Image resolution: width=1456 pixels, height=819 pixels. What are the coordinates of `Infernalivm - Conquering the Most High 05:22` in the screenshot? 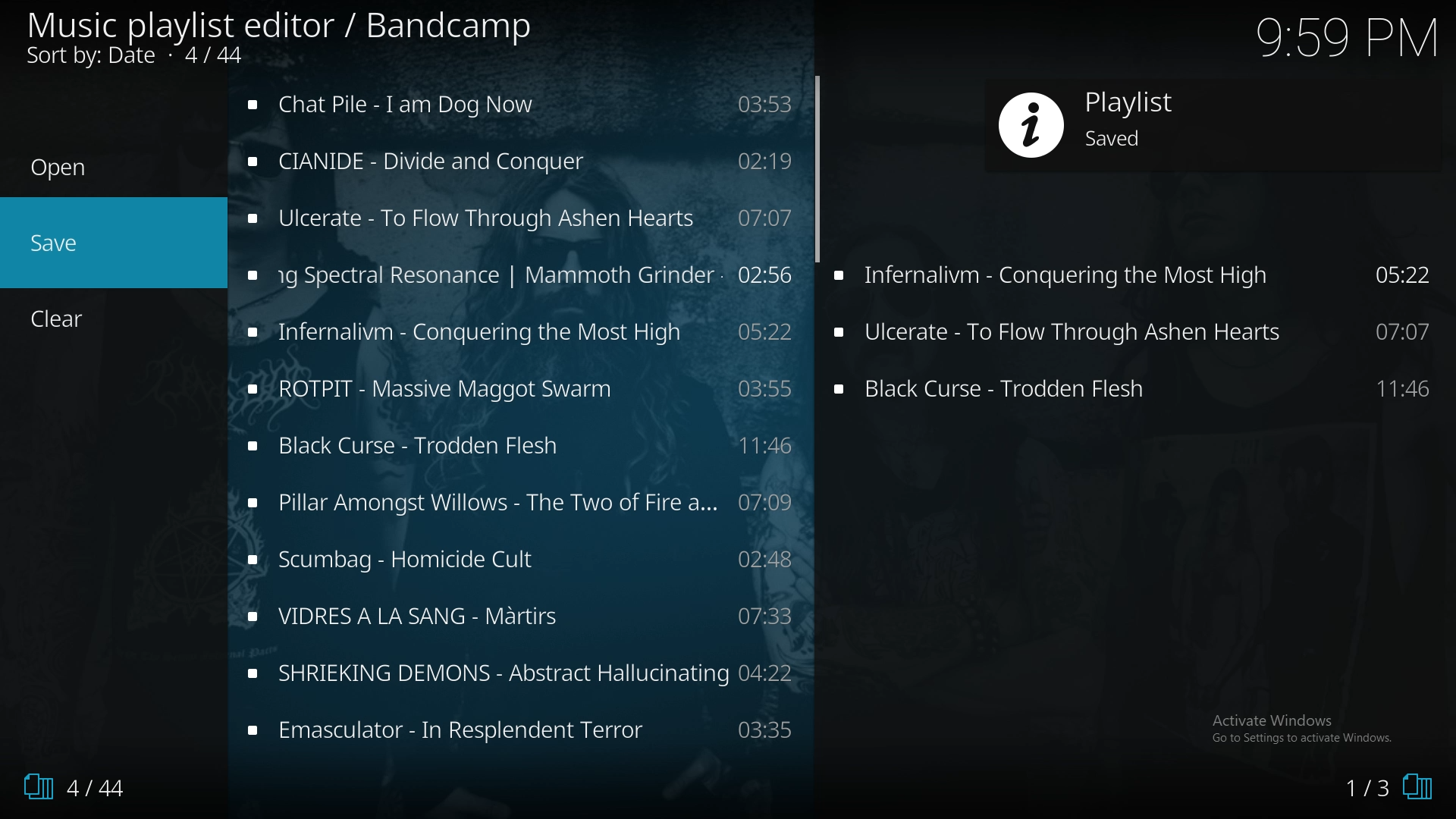 It's located at (1137, 334).